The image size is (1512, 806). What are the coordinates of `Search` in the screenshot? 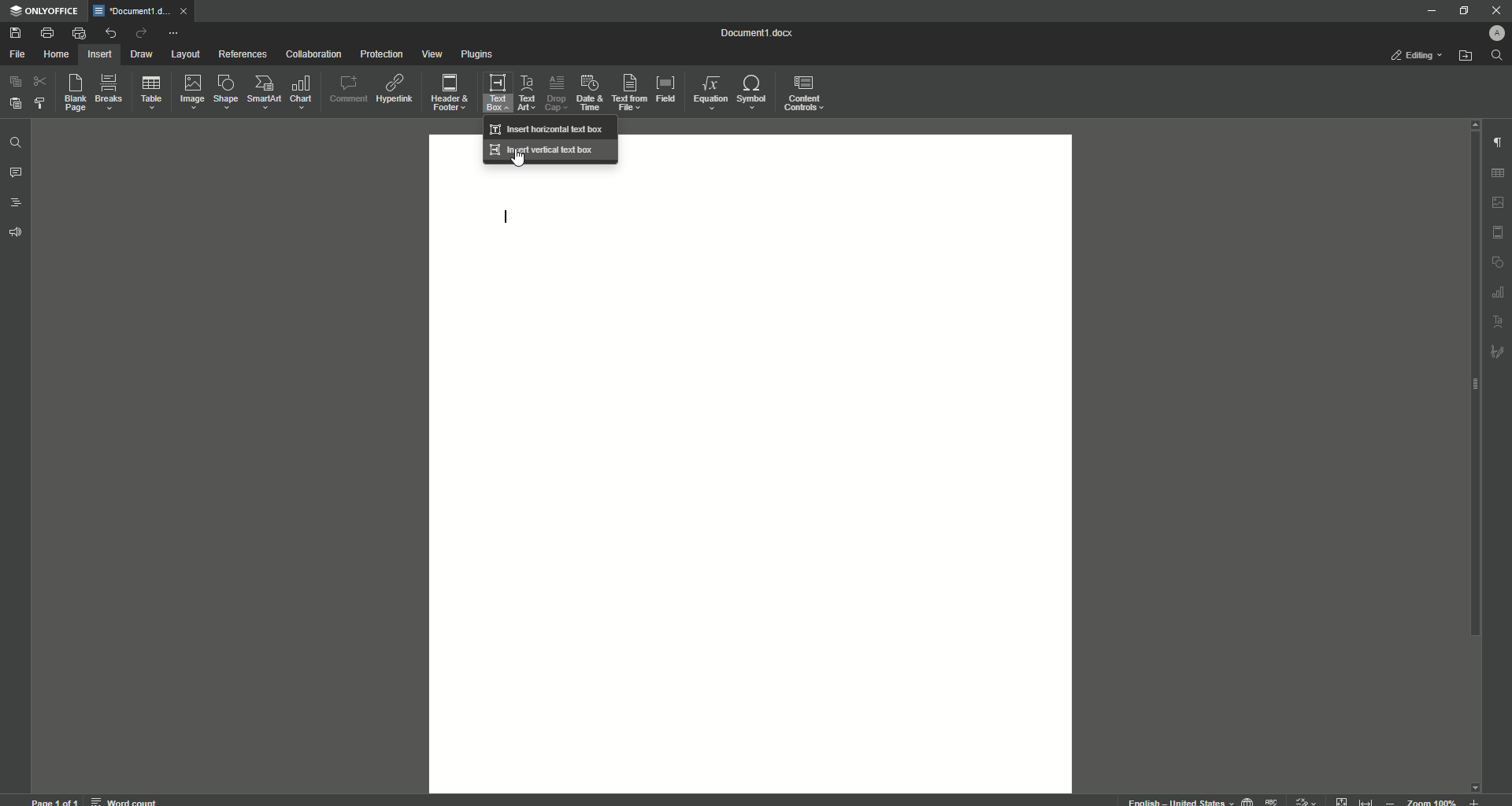 It's located at (1497, 56).